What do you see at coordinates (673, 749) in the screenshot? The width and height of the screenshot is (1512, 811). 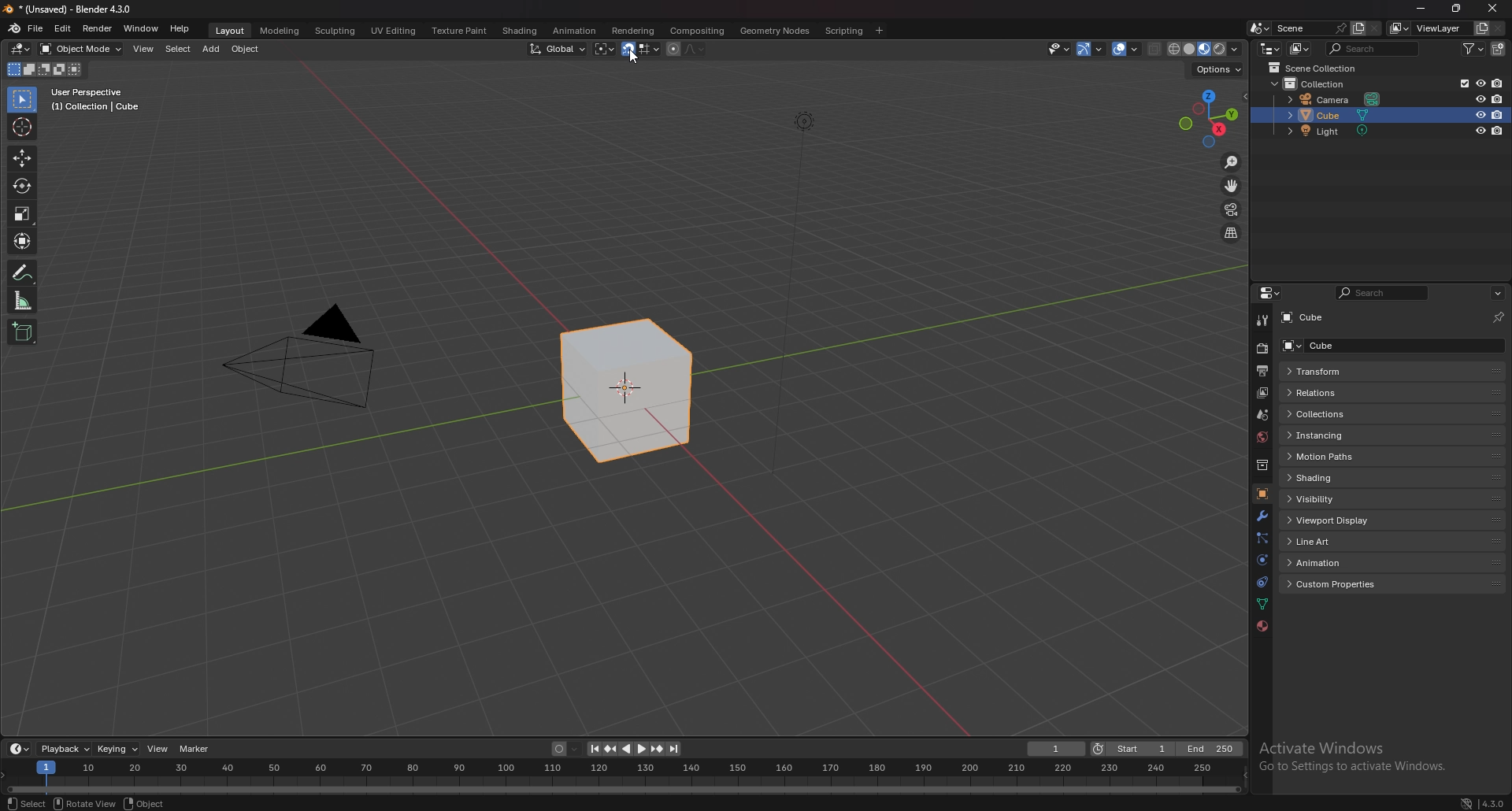 I see `jump to last frame` at bounding box center [673, 749].